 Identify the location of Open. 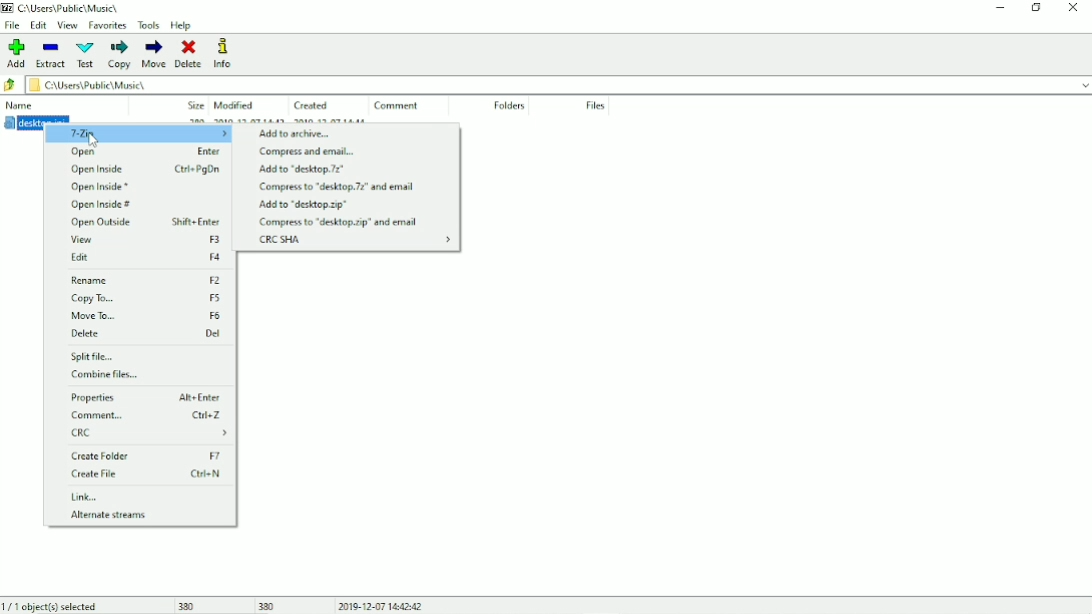
(147, 153).